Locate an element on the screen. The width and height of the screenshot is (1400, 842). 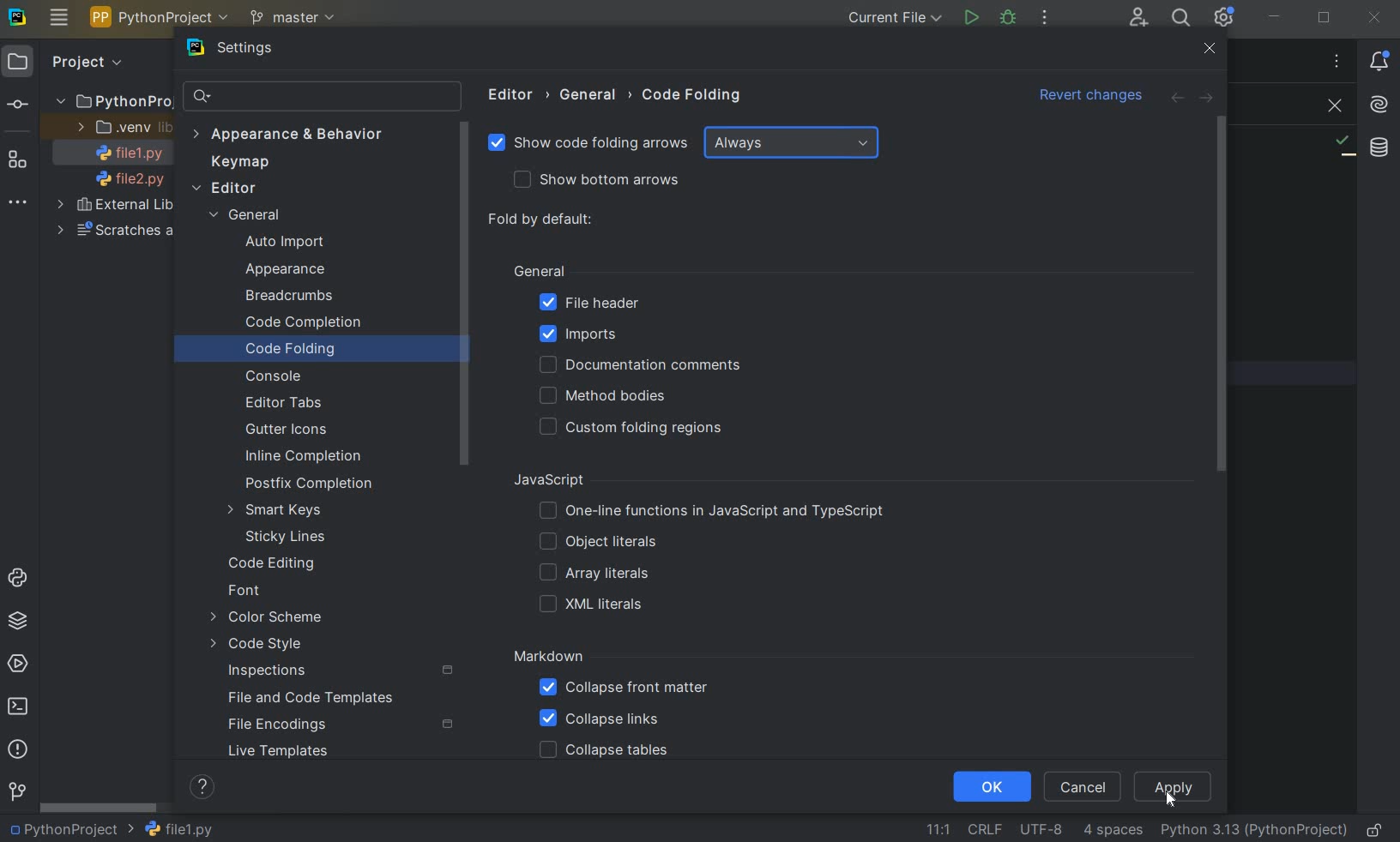
AUTO IMPORT is located at coordinates (284, 243).